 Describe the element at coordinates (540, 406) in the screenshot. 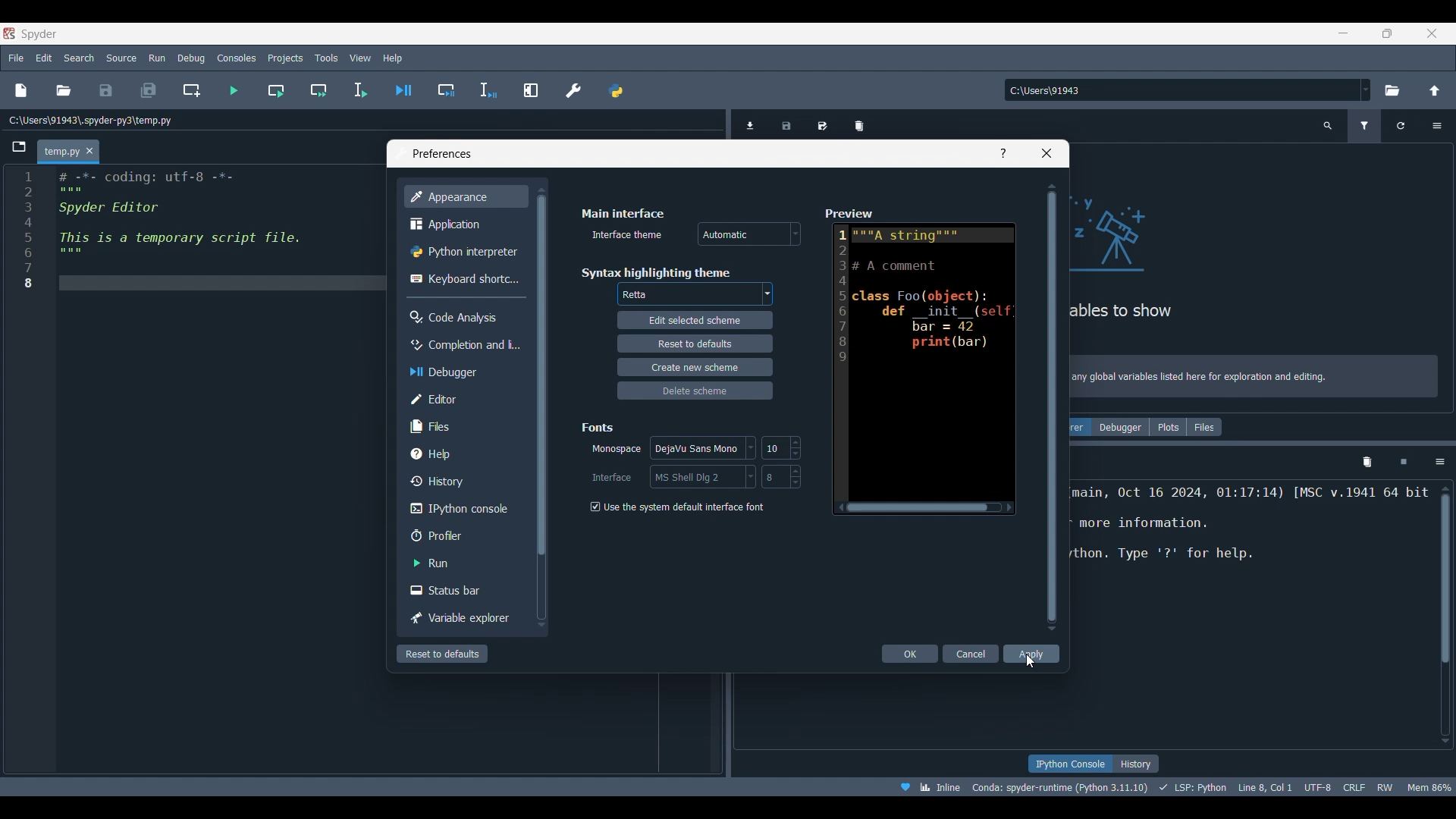

I see `Vertical slide bar` at that location.